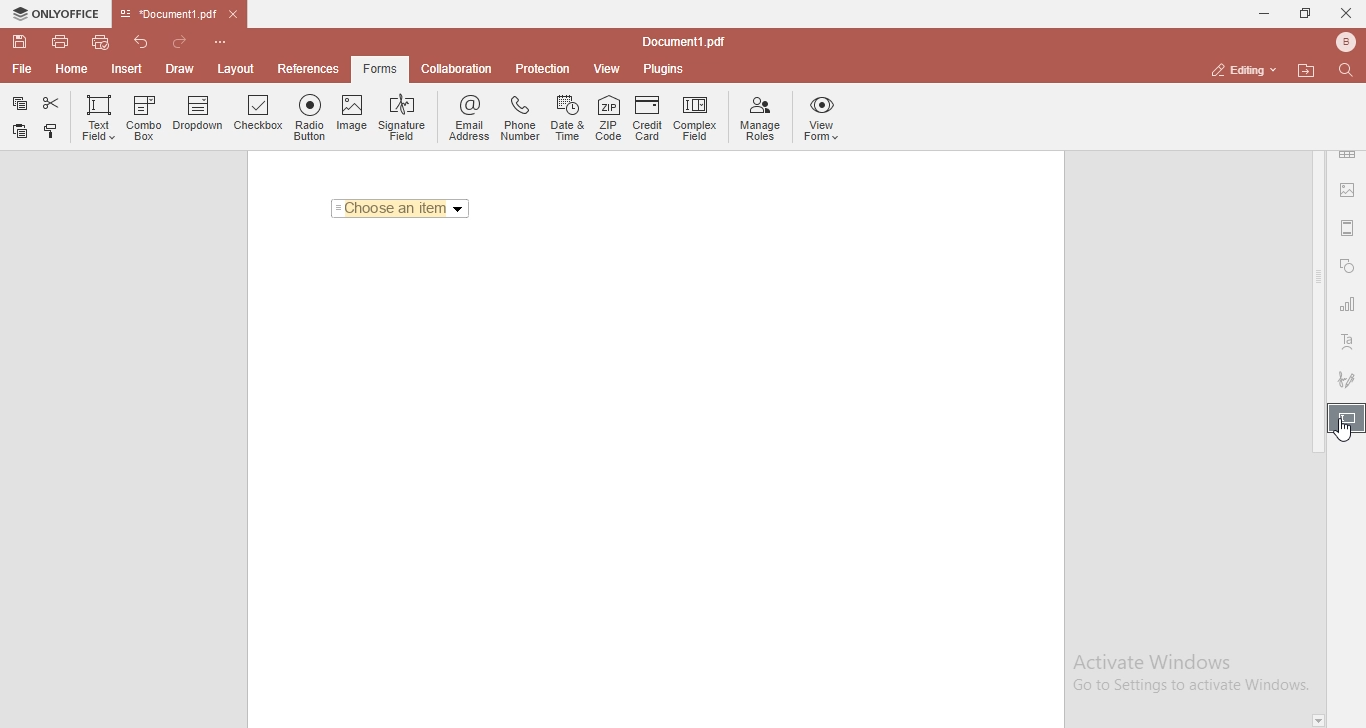  I want to click on print, so click(59, 40).